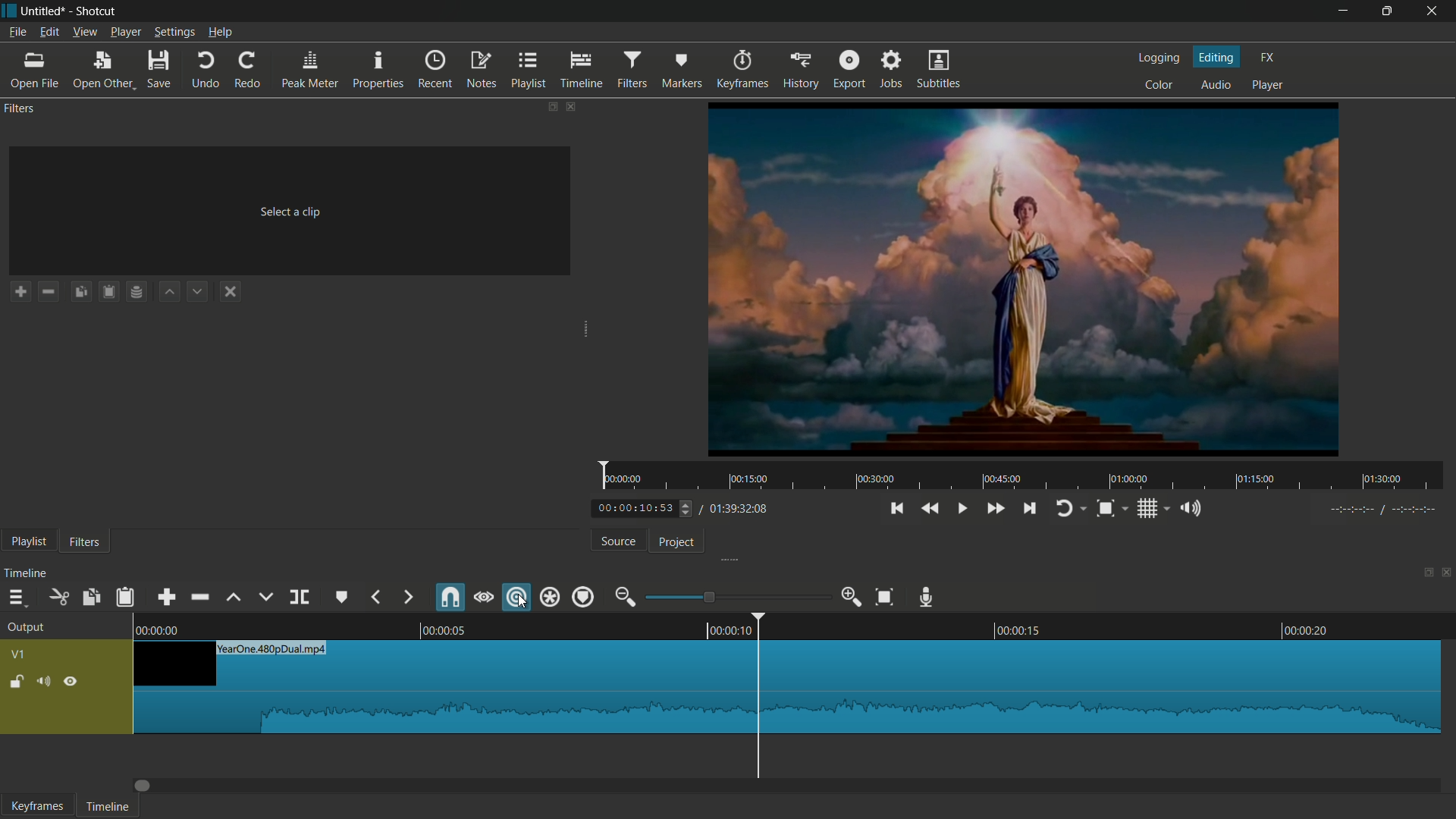  Describe the element at coordinates (962, 508) in the screenshot. I see `toggle play or pause` at that location.